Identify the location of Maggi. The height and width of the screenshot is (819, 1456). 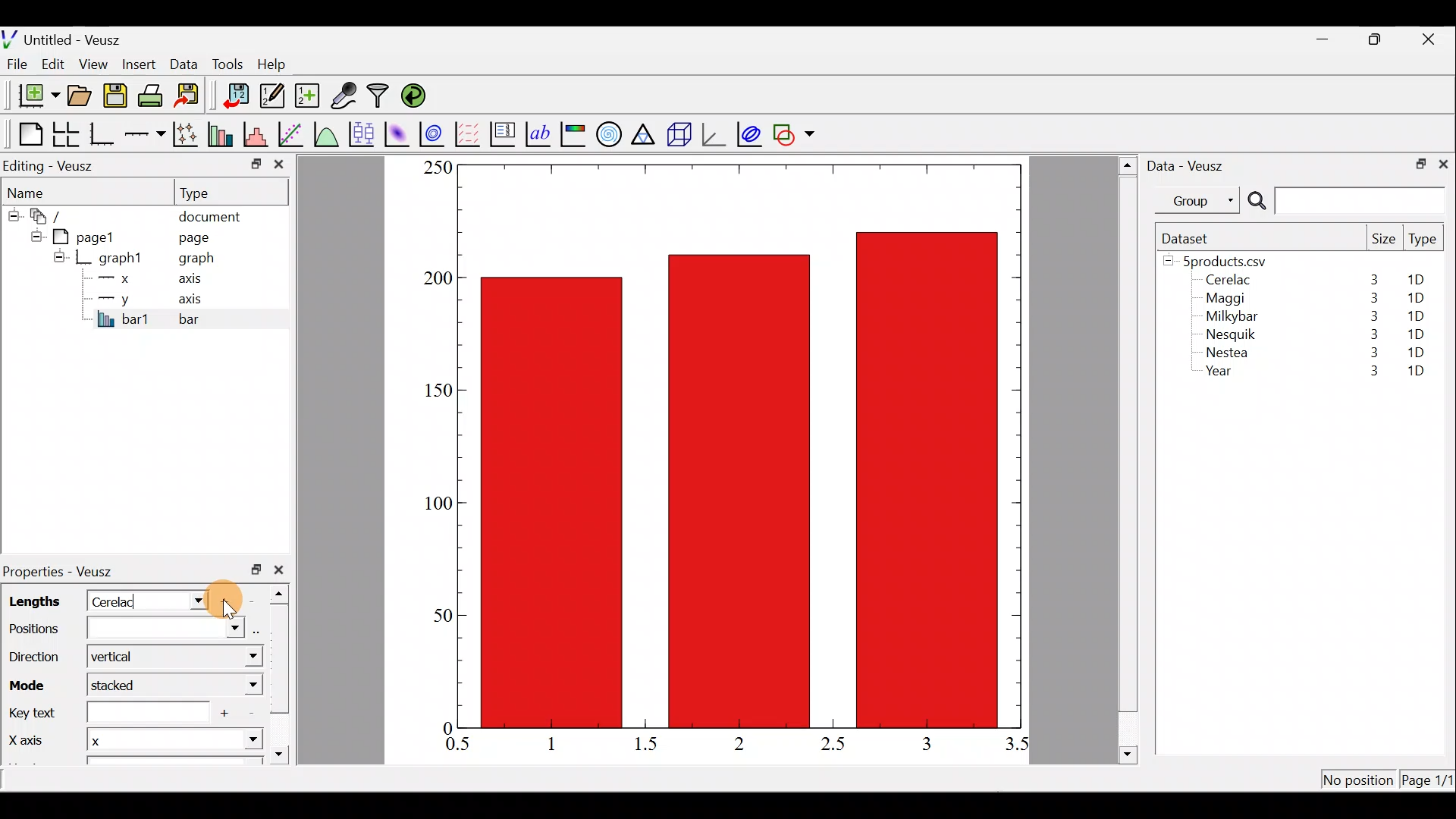
(1227, 300).